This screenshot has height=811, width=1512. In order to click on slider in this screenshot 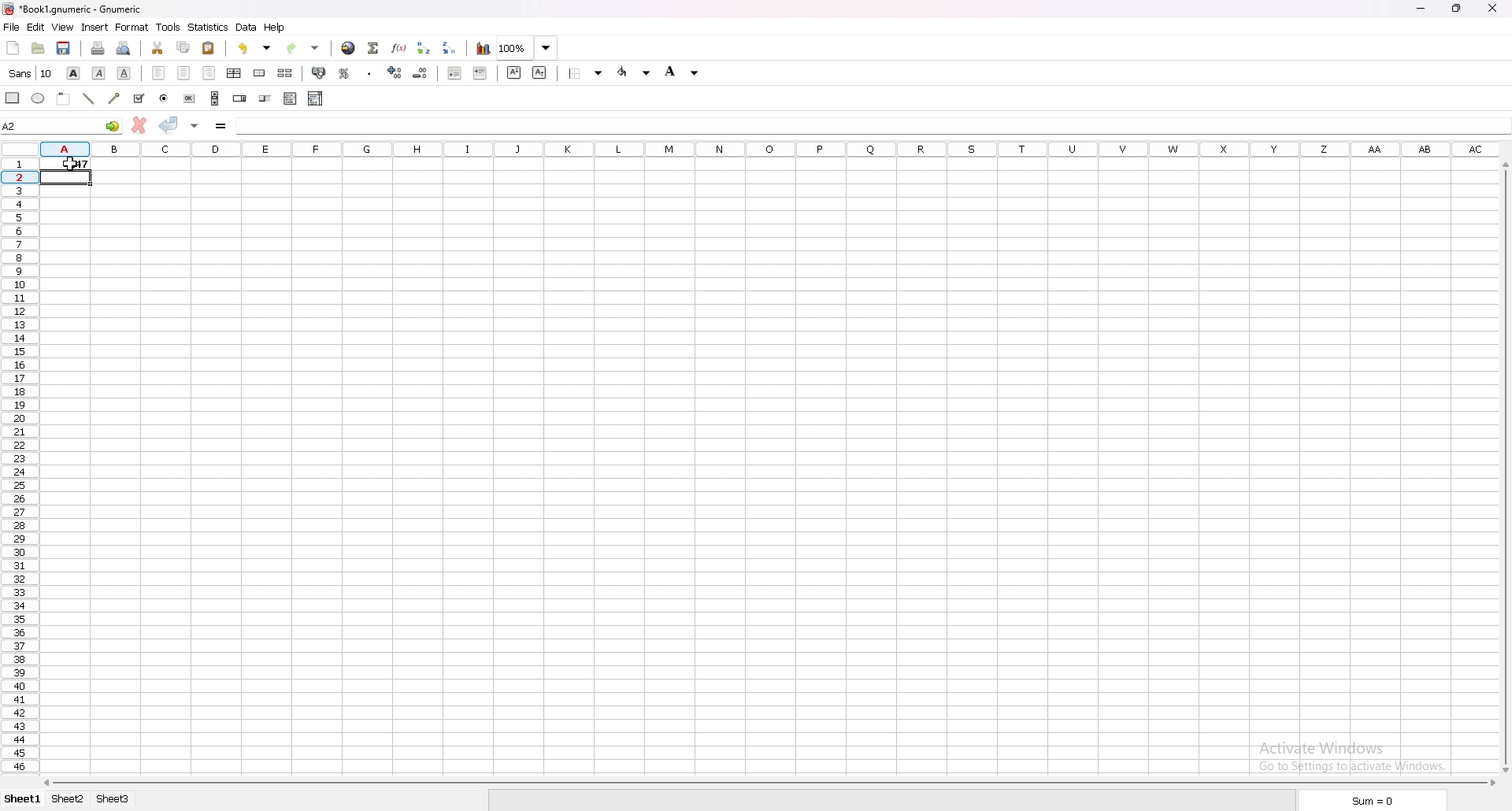, I will do `click(267, 98)`.